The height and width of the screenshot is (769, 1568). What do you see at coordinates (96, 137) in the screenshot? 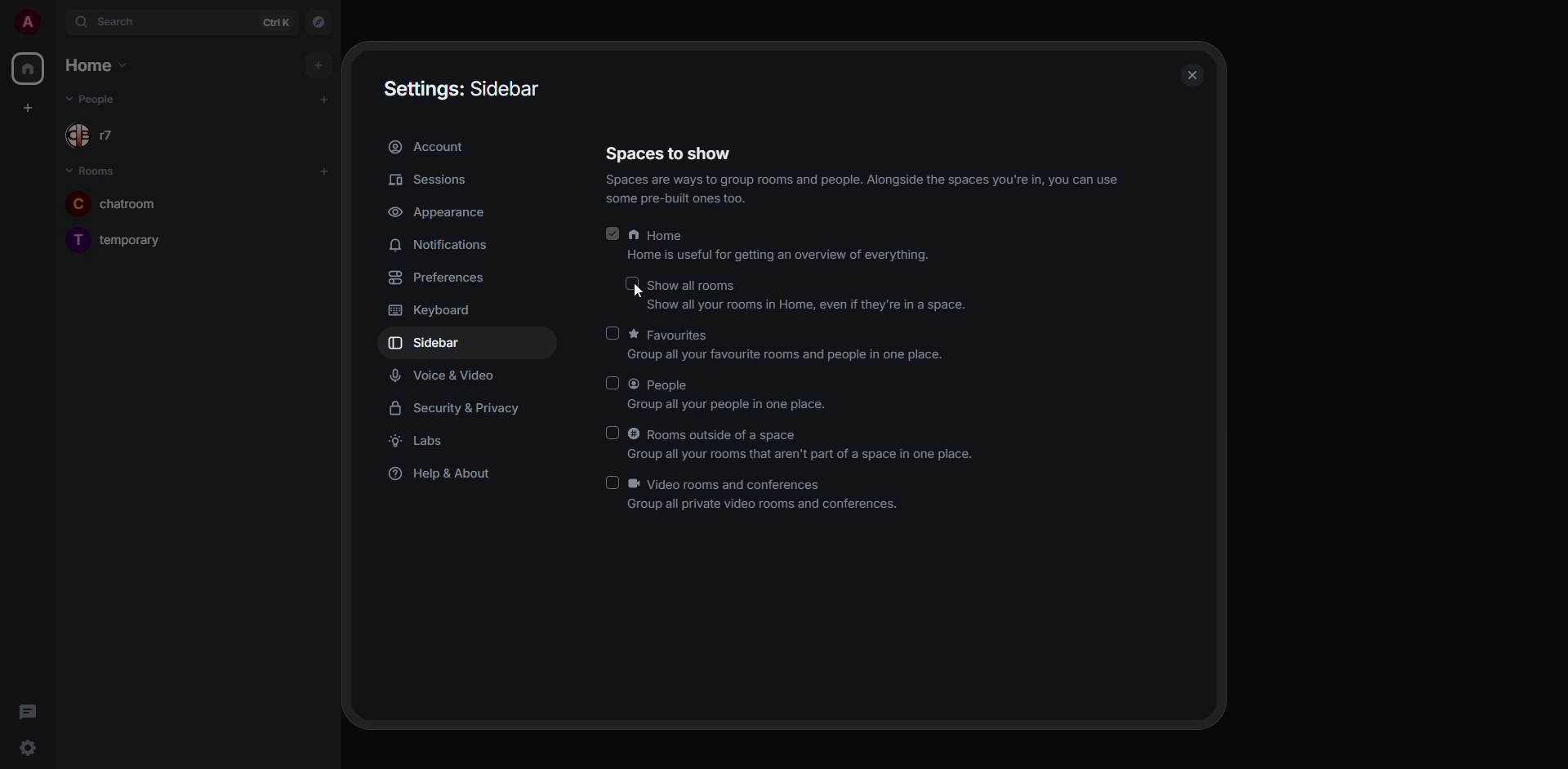
I see `people` at bounding box center [96, 137].